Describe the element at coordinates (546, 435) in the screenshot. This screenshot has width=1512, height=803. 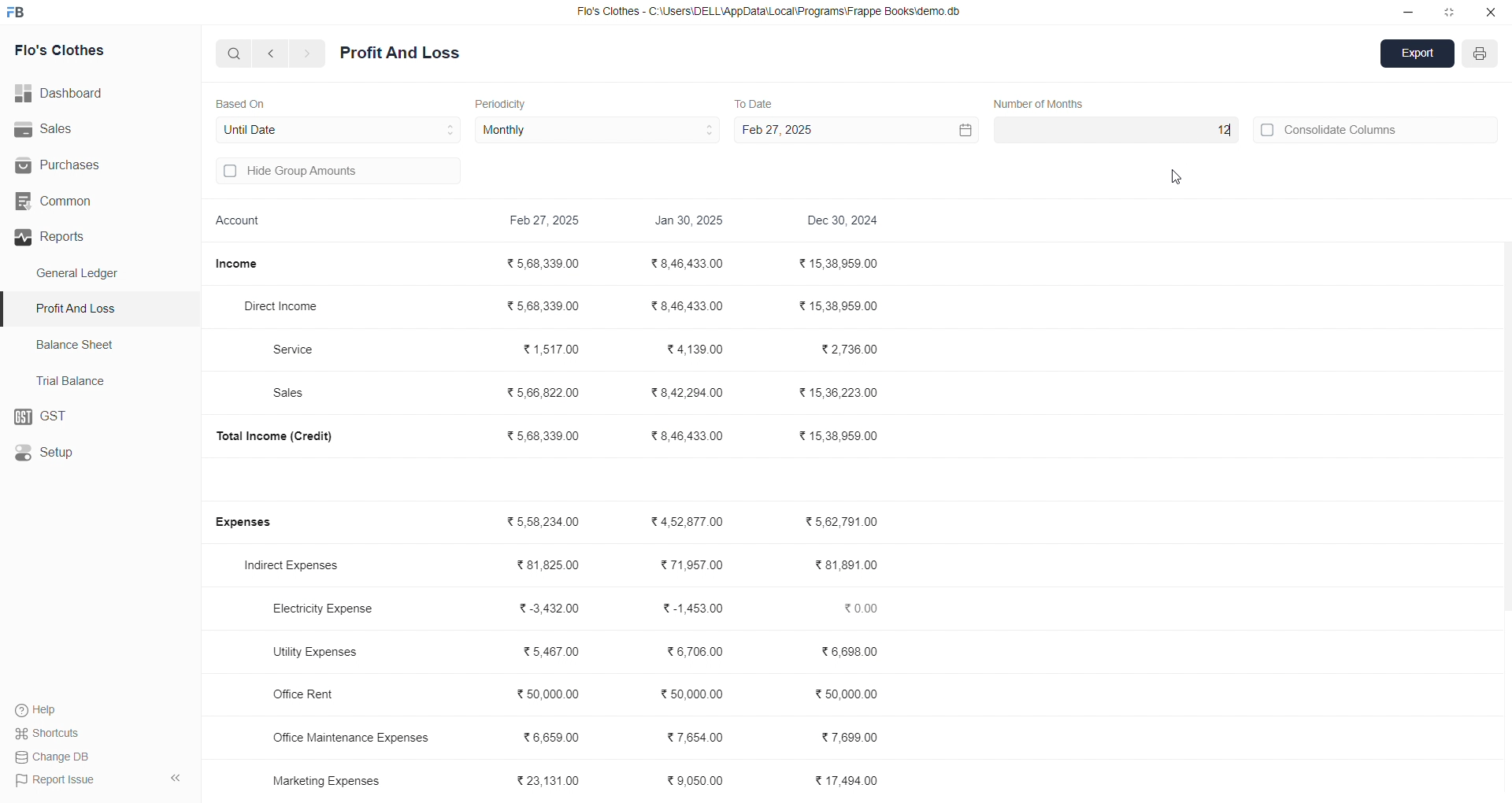
I see `₹5,68,339.00` at that location.